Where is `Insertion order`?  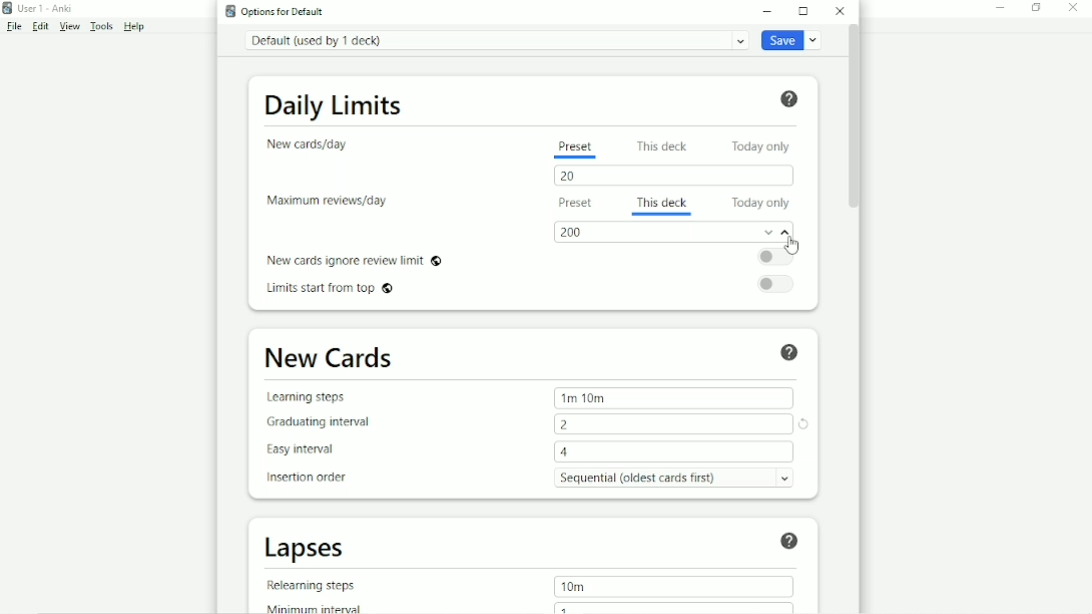
Insertion order is located at coordinates (313, 478).